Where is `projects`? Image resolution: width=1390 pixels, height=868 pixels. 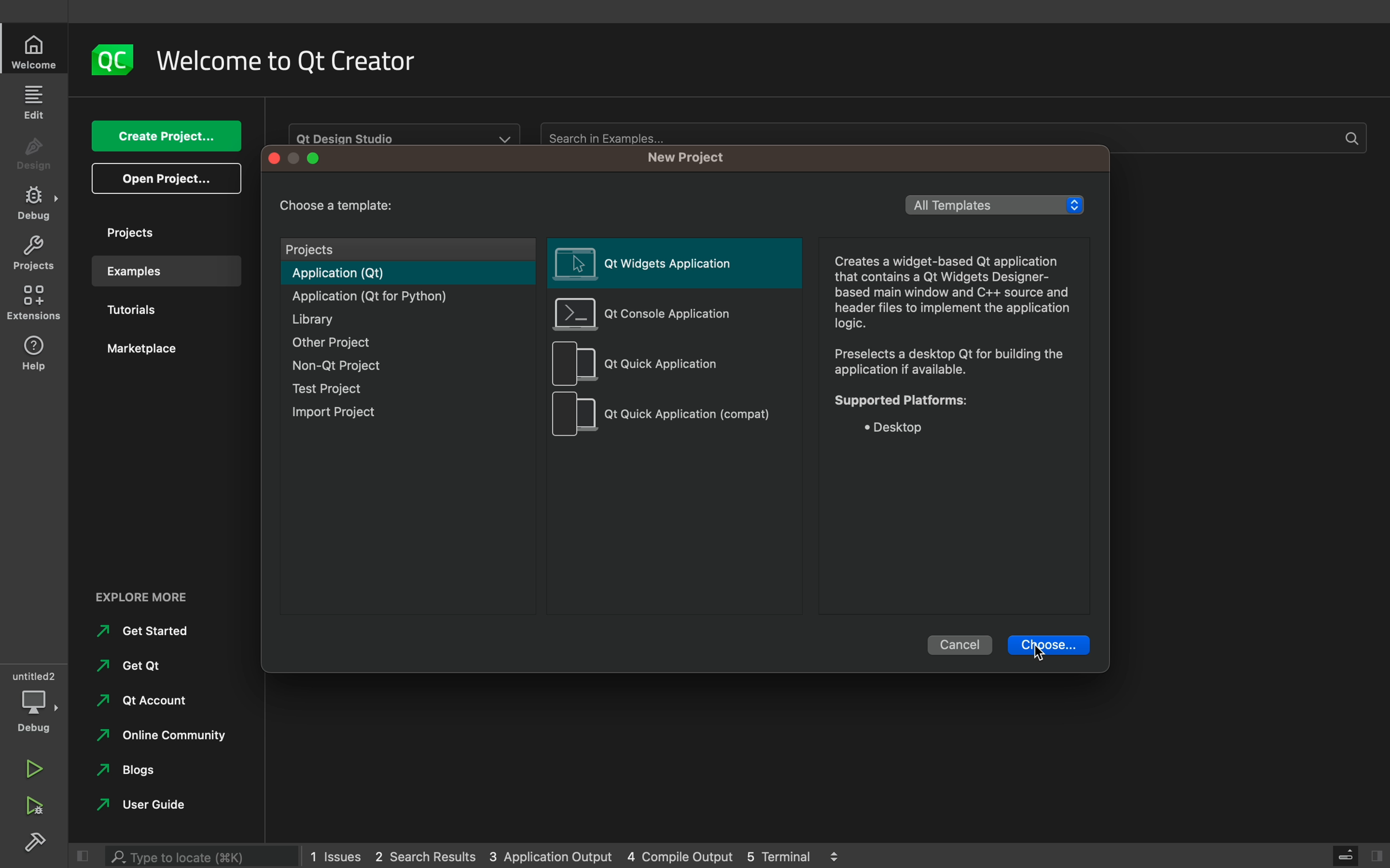 projects is located at coordinates (160, 232).